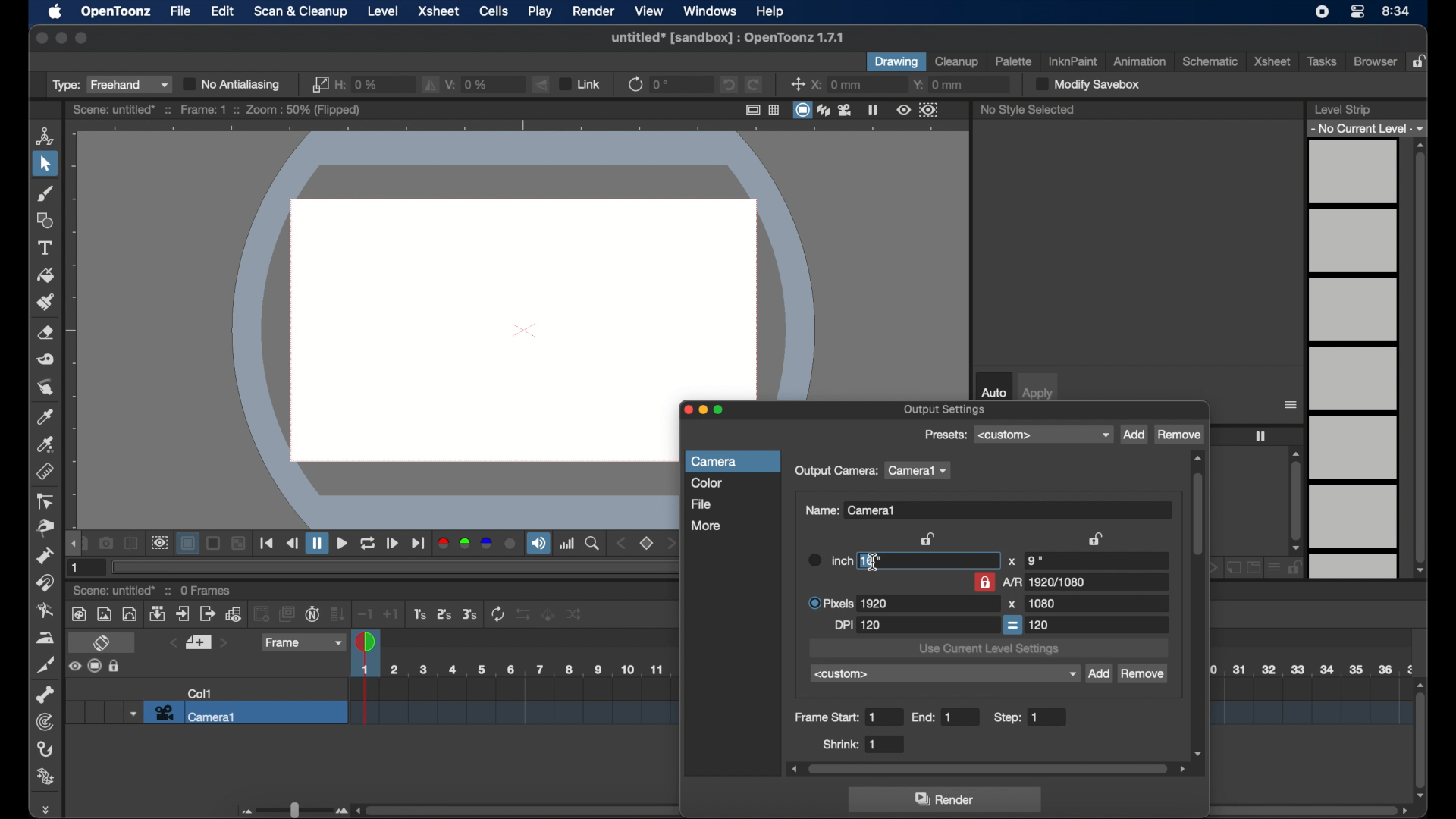 The width and height of the screenshot is (1456, 819). I want to click on skeleton tool, so click(45, 695).